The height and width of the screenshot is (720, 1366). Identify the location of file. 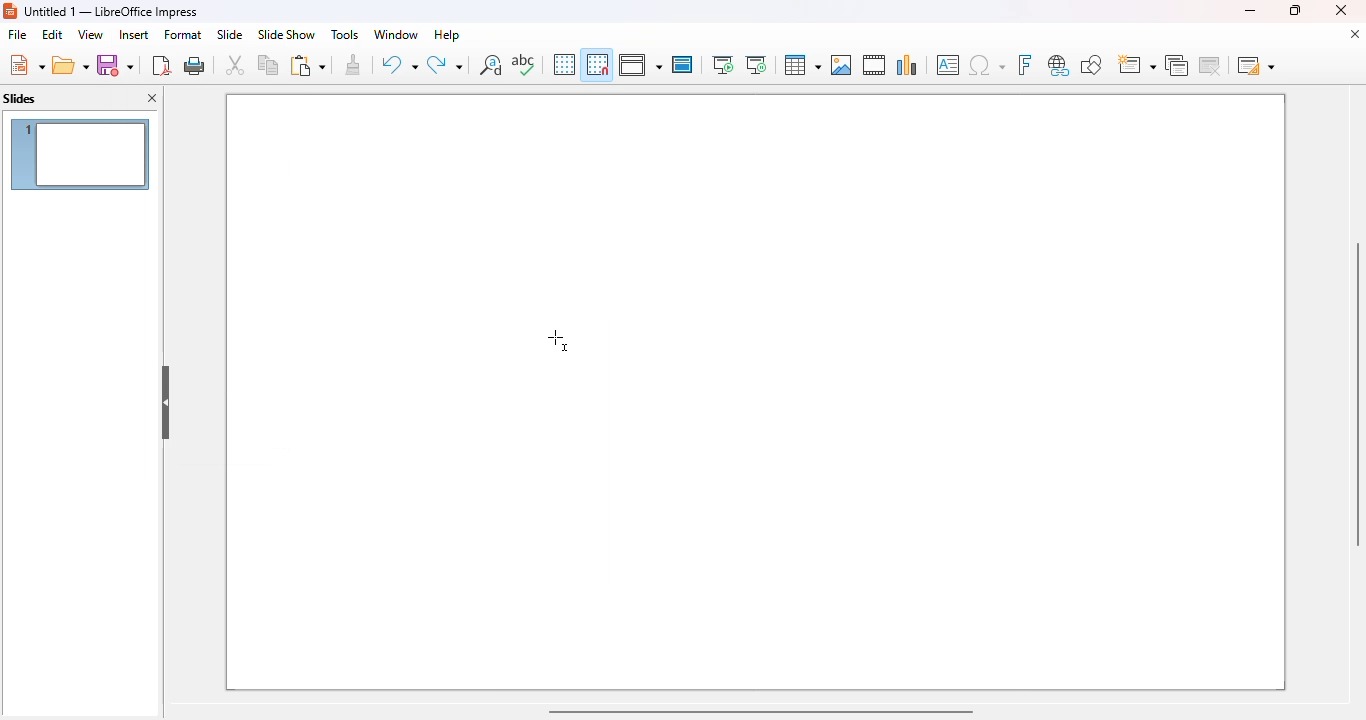
(17, 35).